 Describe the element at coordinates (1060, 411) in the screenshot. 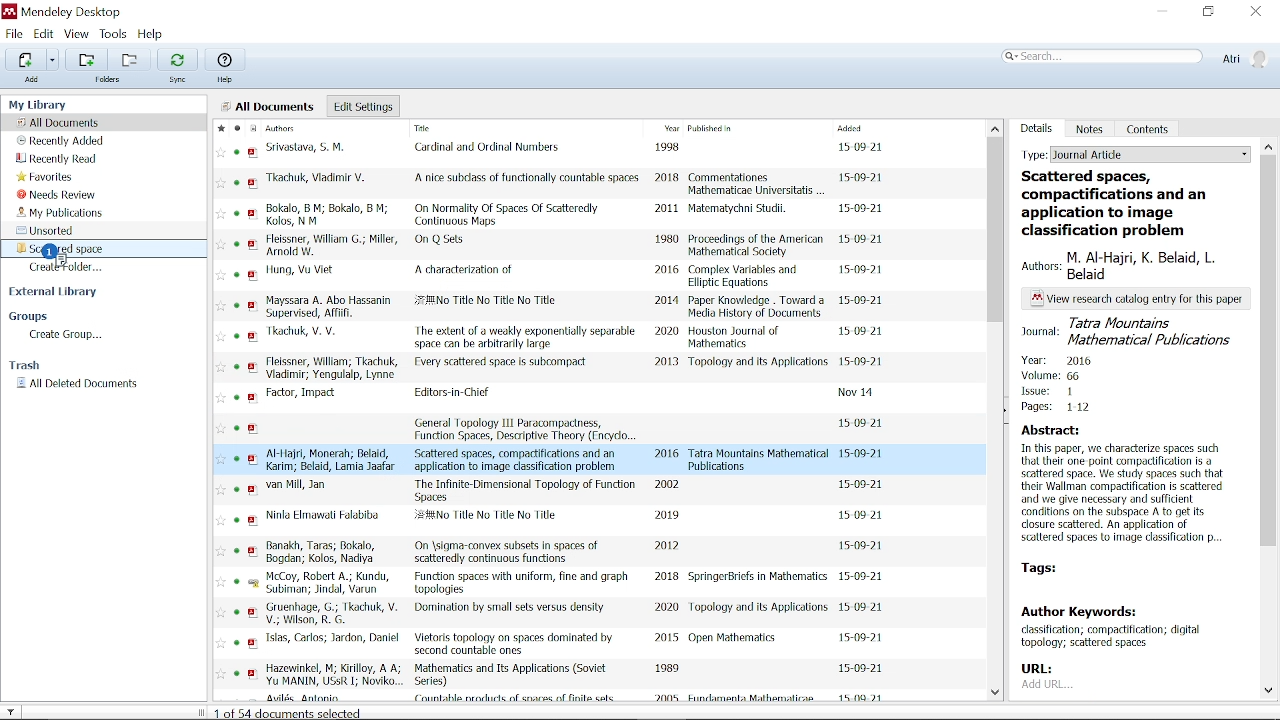

I see `pages` at that location.